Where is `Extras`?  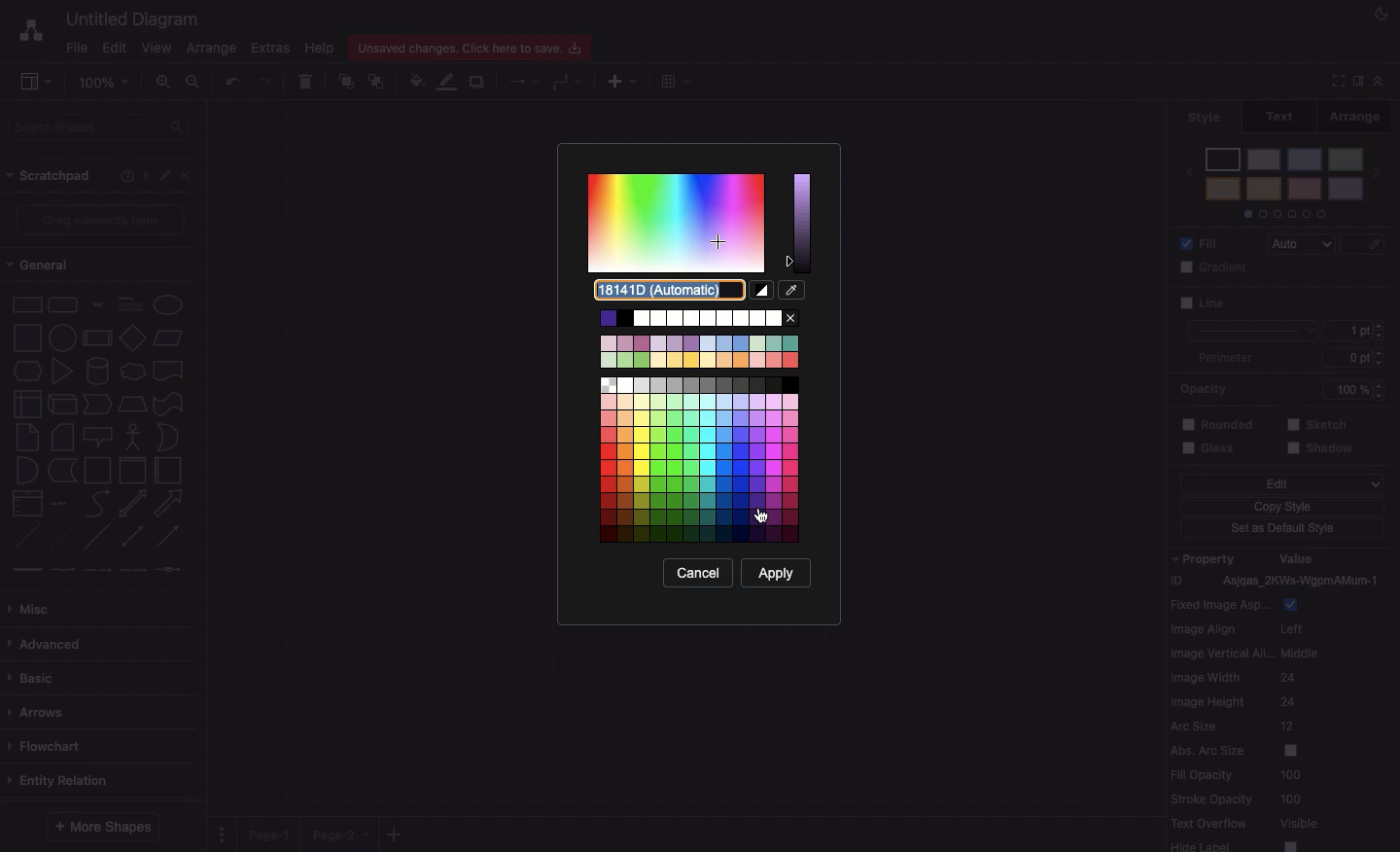 Extras is located at coordinates (270, 49).